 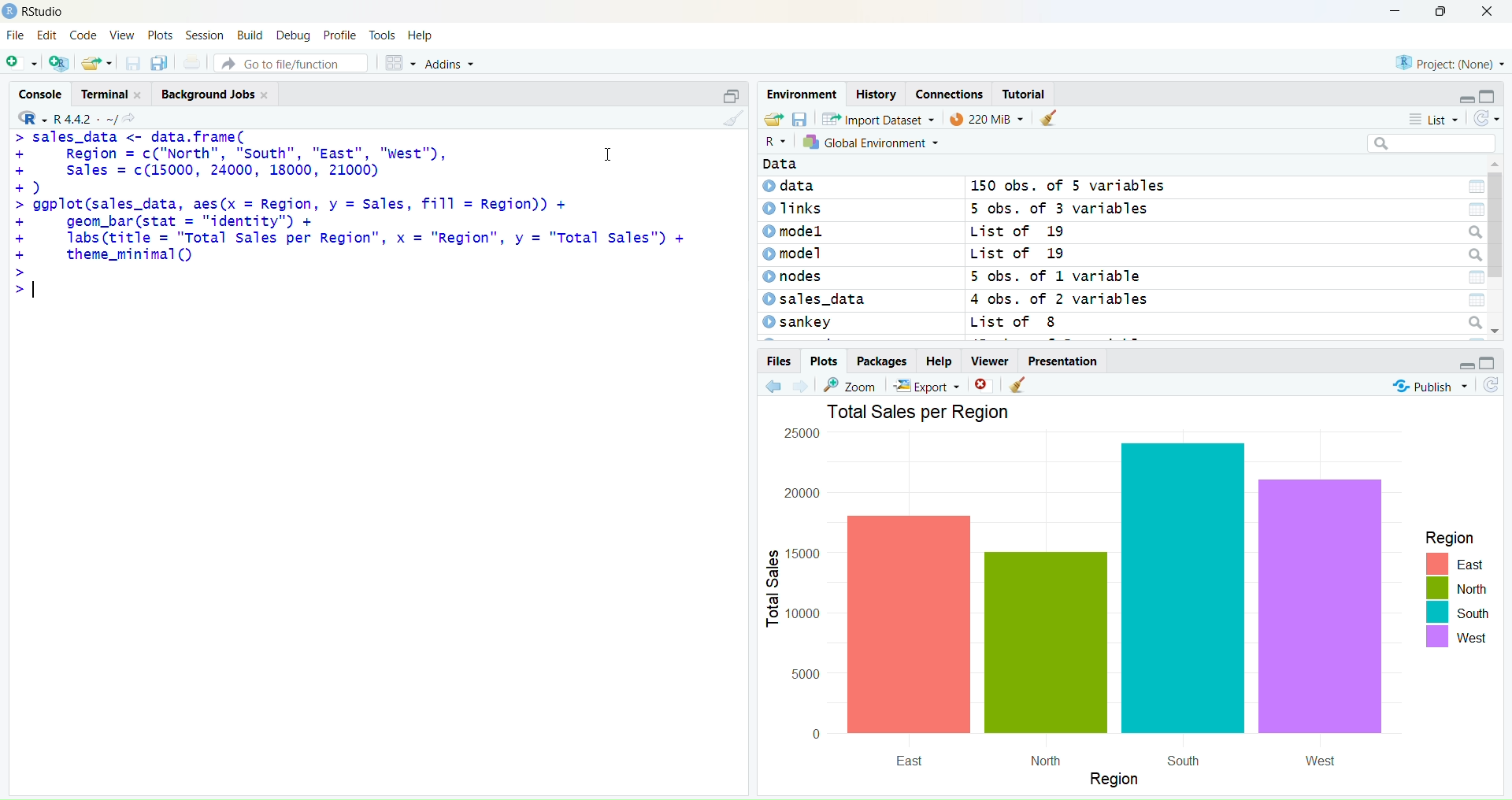 What do you see at coordinates (40, 9) in the screenshot?
I see `) RStudio` at bounding box center [40, 9].